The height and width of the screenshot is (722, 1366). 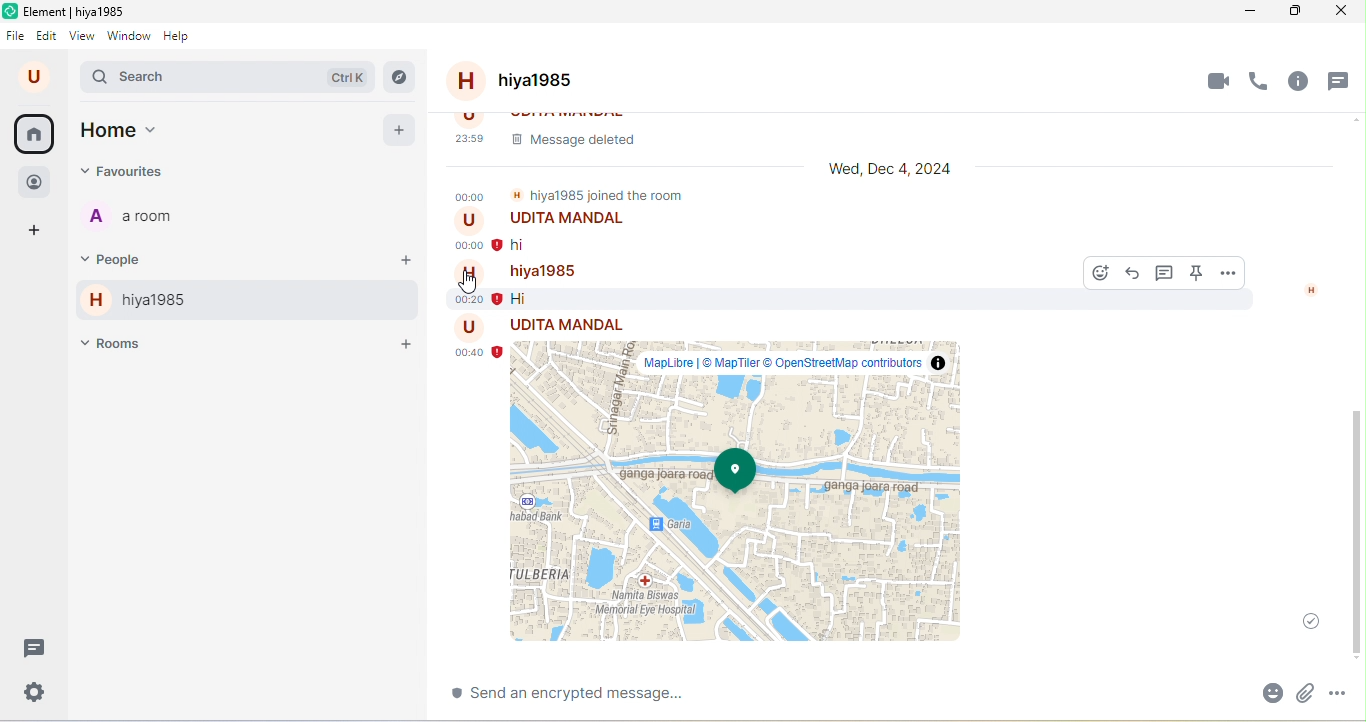 What do you see at coordinates (131, 78) in the screenshot?
I see `search bar` at bounding box center [131, 78].